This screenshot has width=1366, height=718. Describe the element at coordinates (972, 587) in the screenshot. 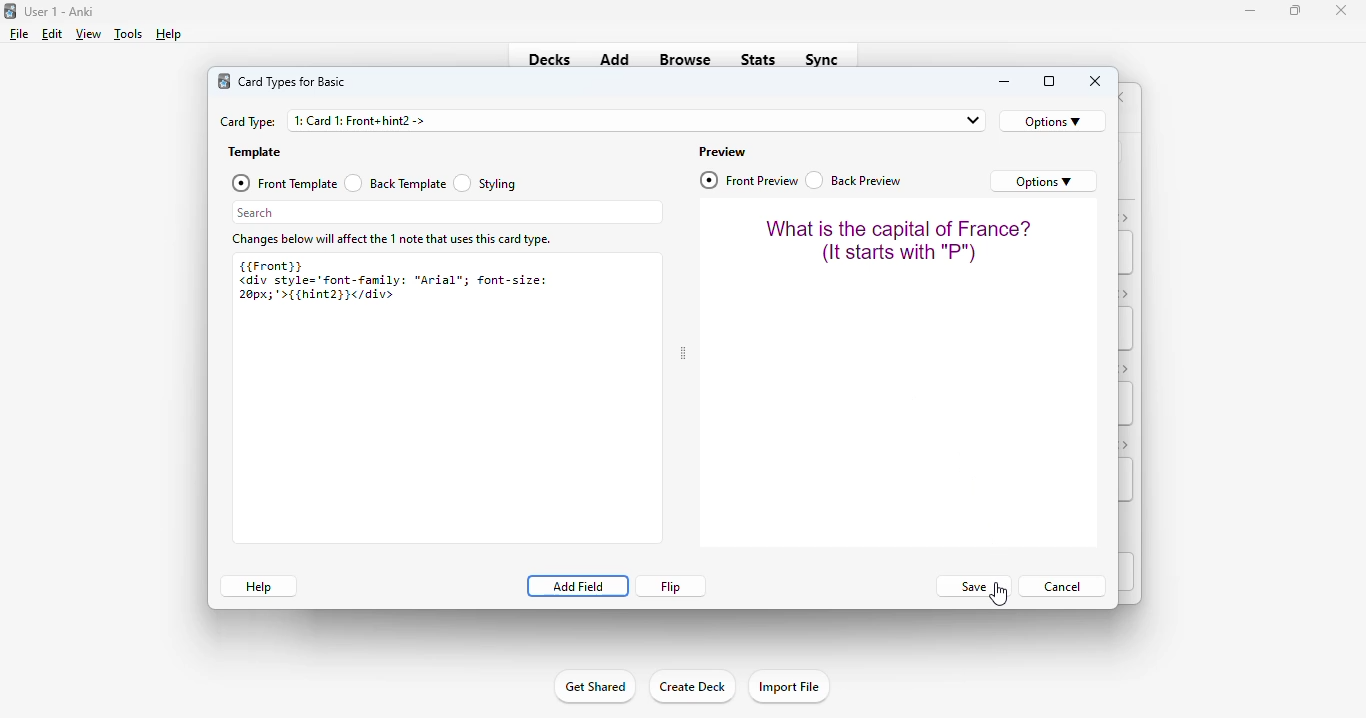

I see `save` at that location.